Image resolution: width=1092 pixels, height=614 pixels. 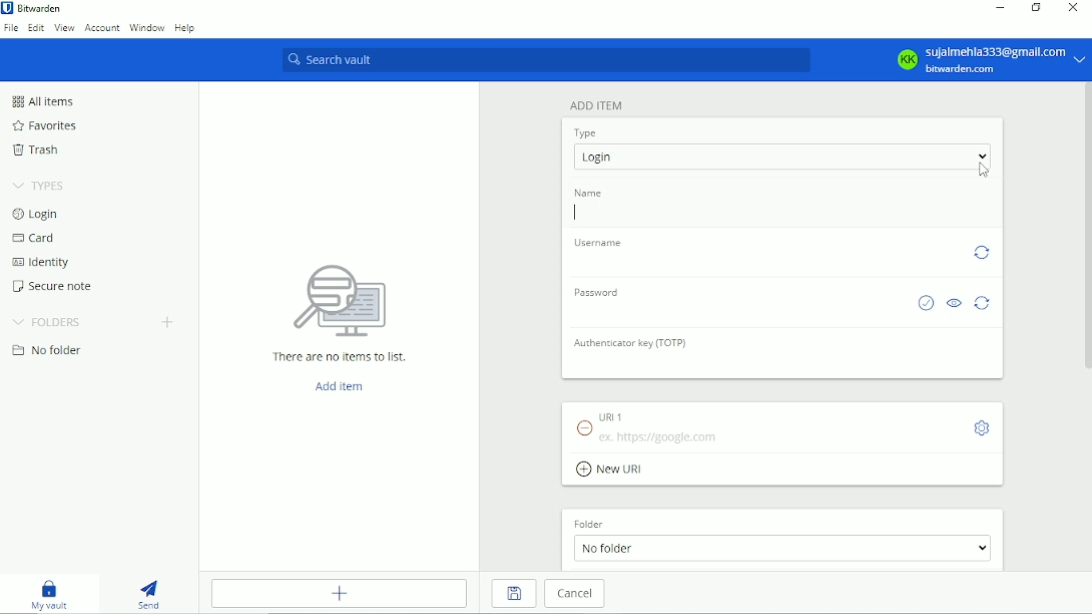 What do you see at coordinates (64, 28) in the screenshot?
I see `View` at bounding box center [64, 28].